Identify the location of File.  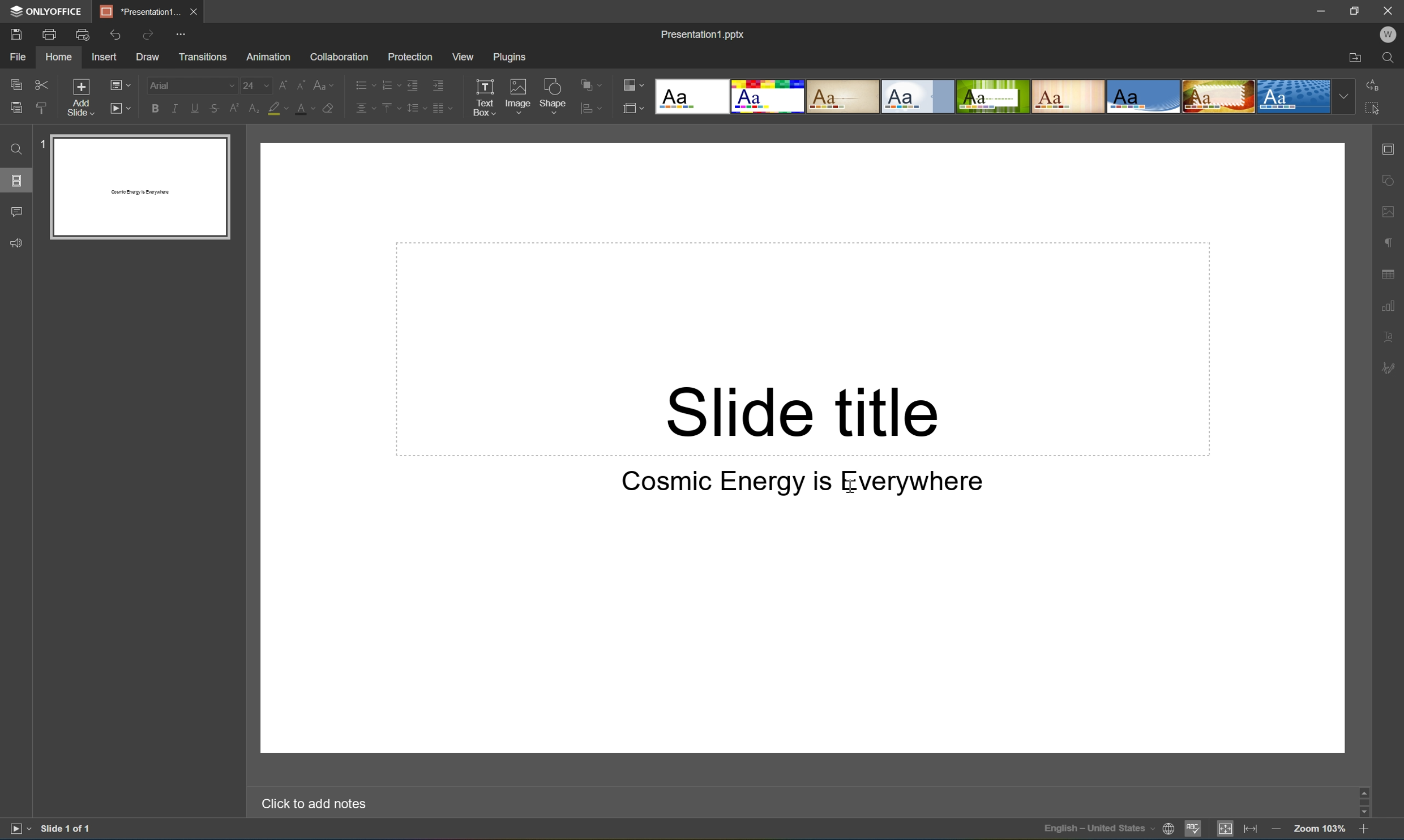
(18, 57).